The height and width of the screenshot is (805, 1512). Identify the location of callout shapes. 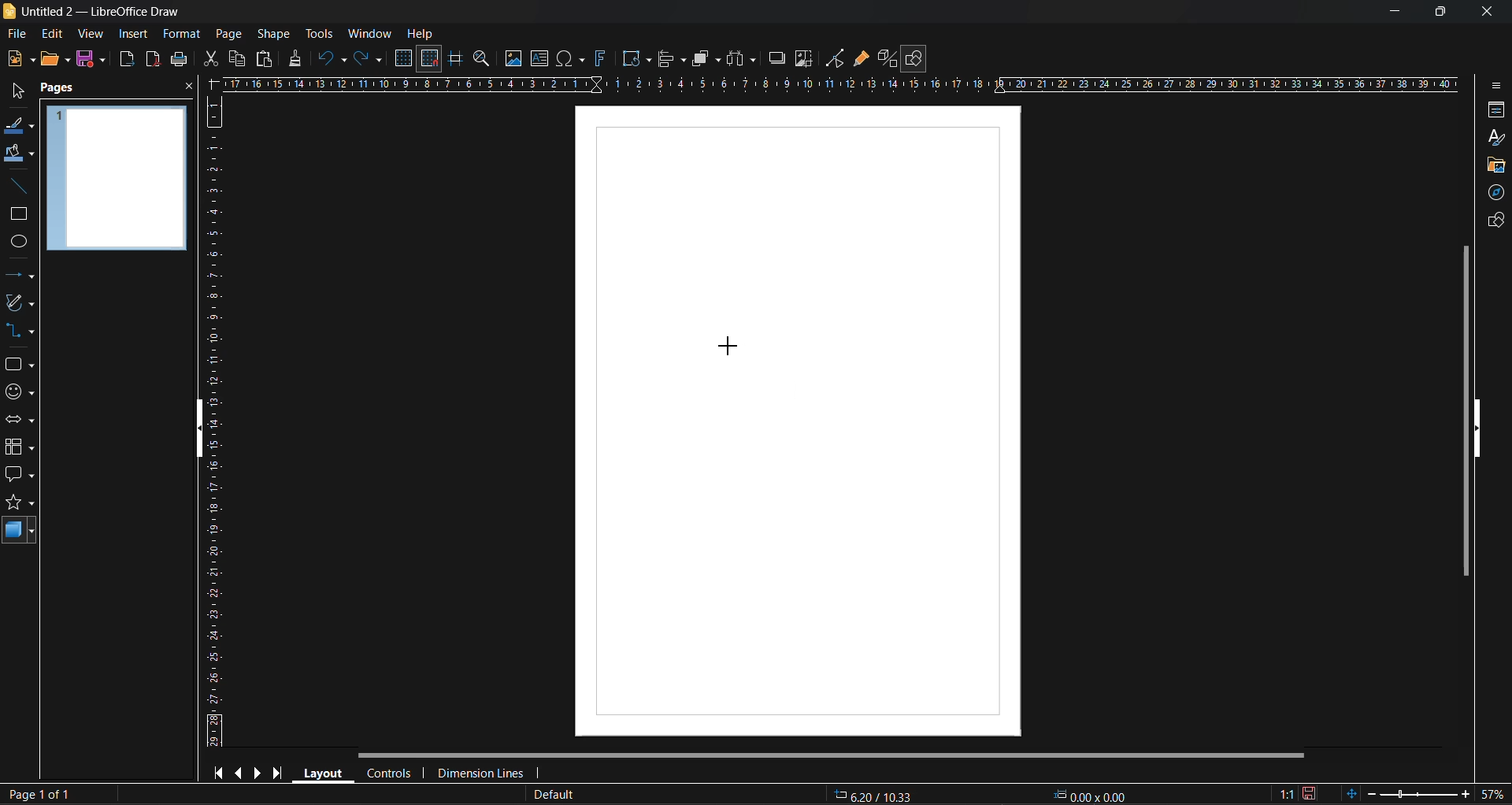
(20, 476).